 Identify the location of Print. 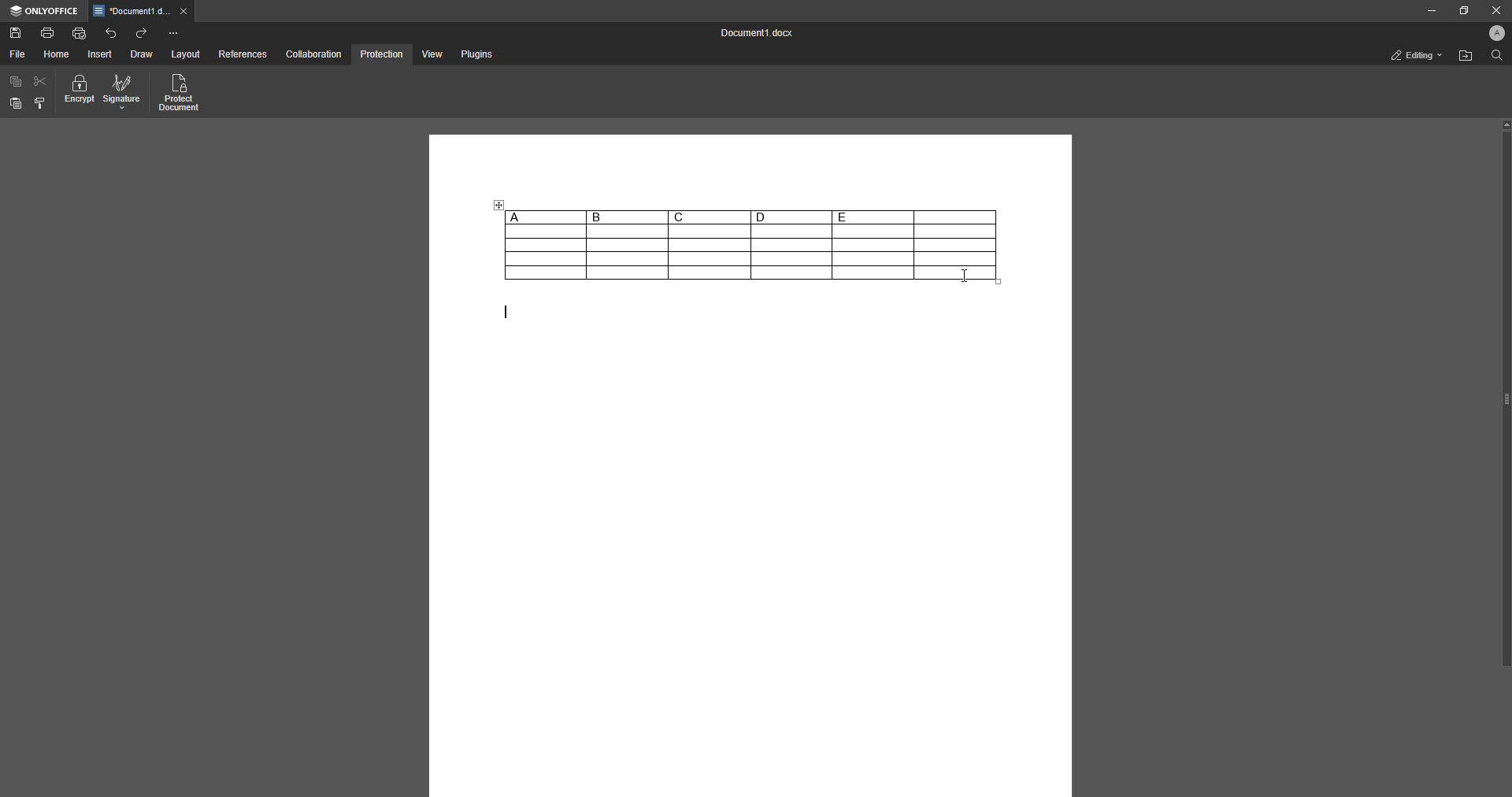
(48, 32).